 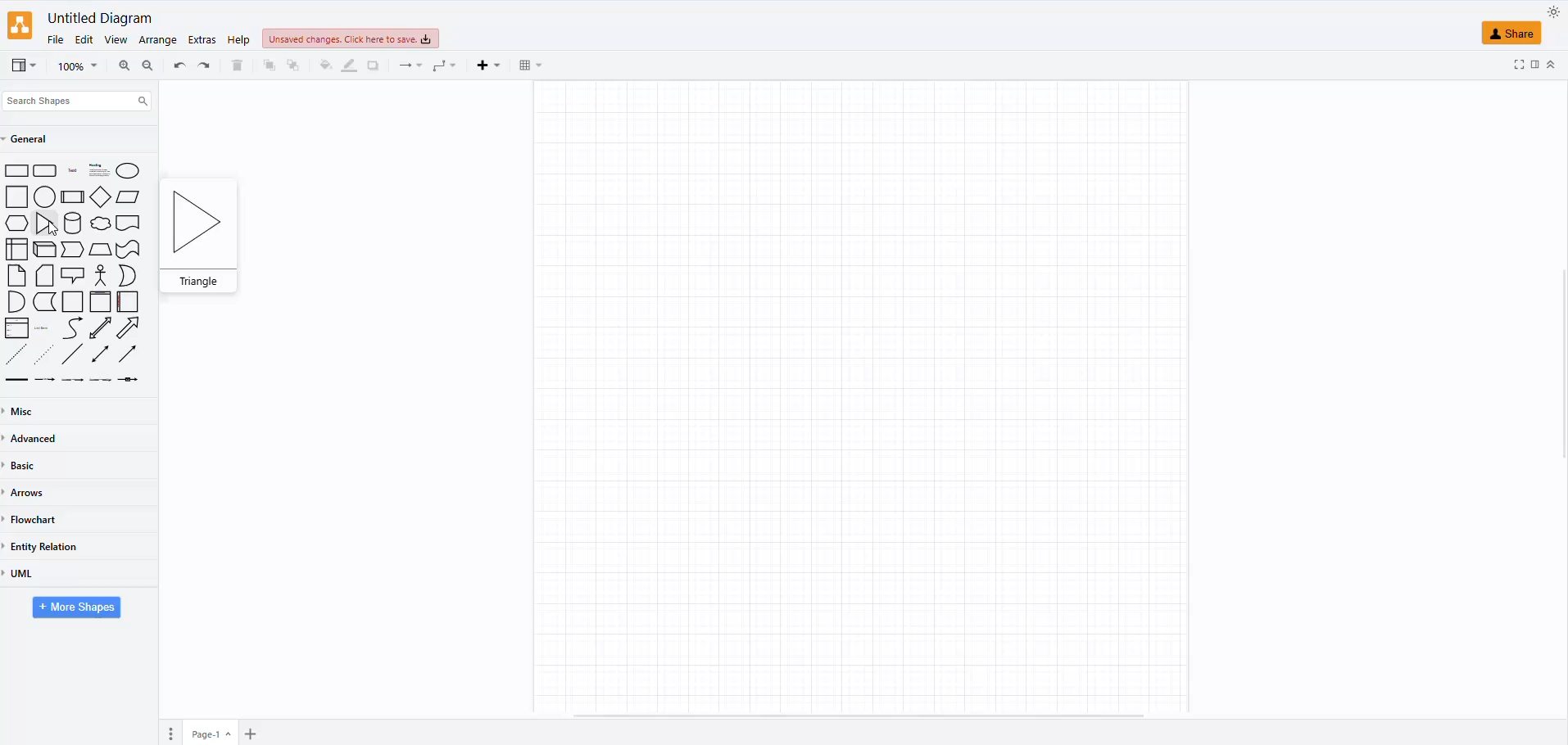 I want to click on delete, so click(x=238, y=61).